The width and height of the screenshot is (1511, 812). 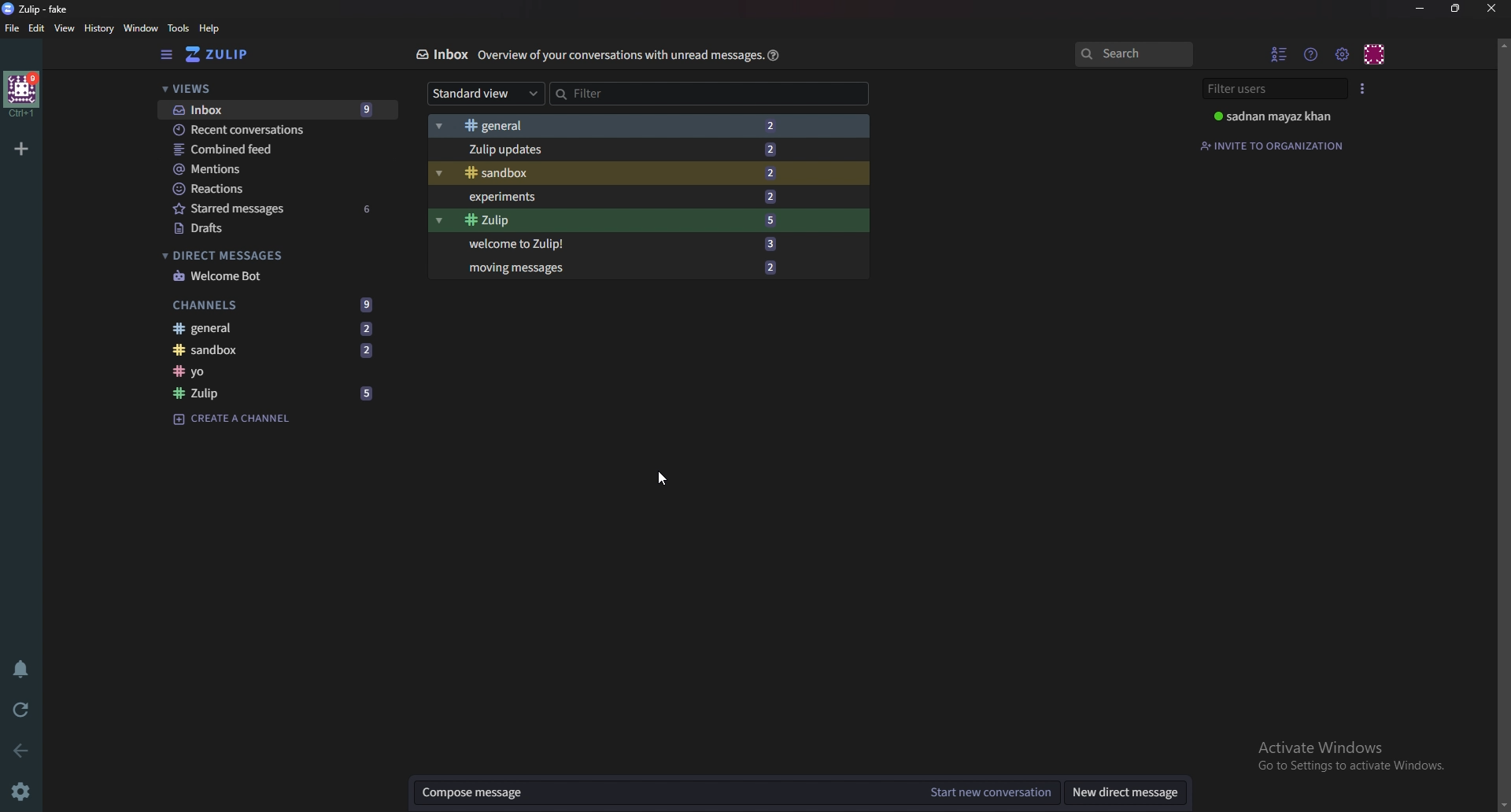 I want to click on Enable do not disturb, so click(x=19, y=672).